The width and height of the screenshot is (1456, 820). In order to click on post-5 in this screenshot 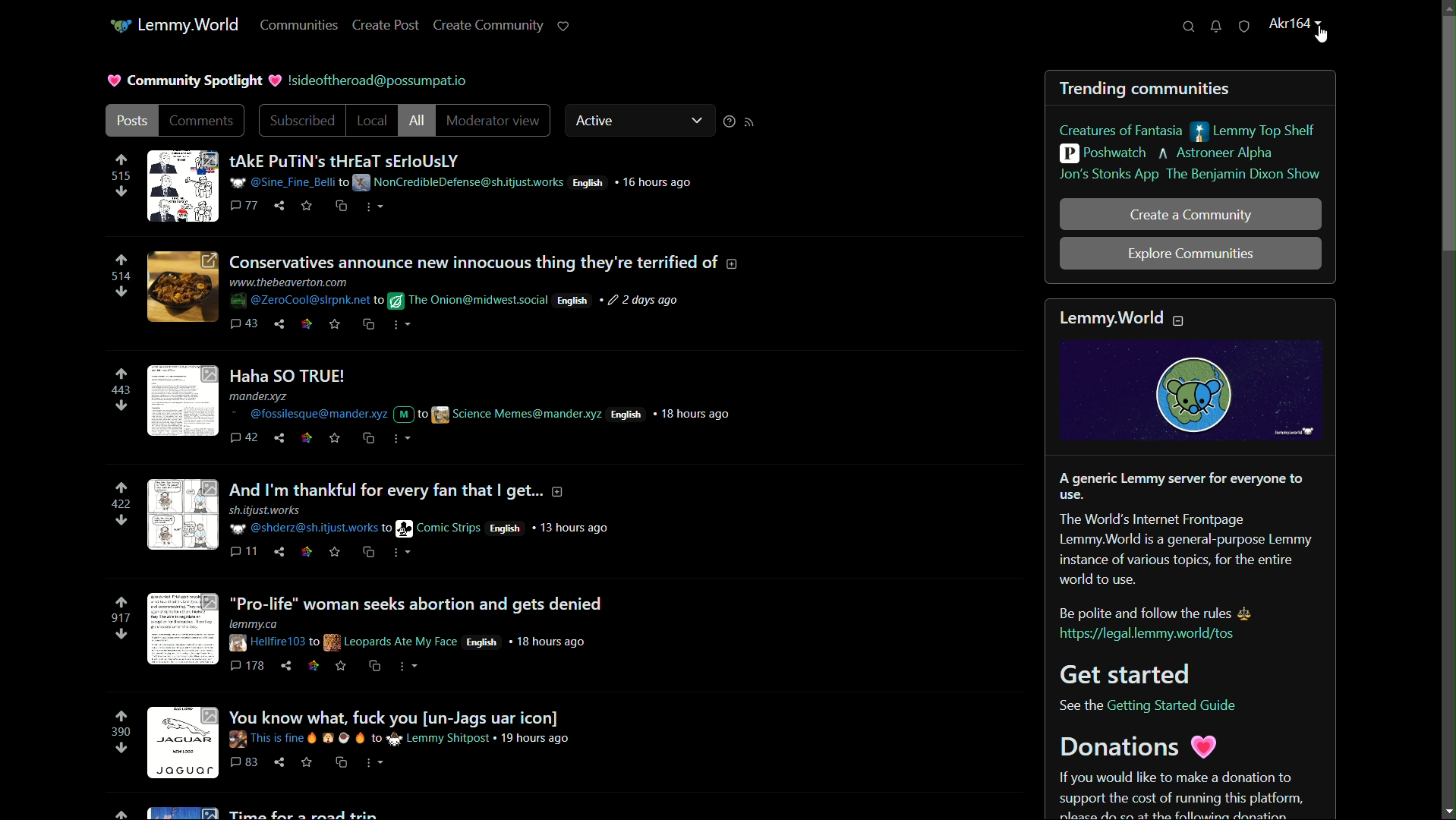, I will do `click(373, 635)`.